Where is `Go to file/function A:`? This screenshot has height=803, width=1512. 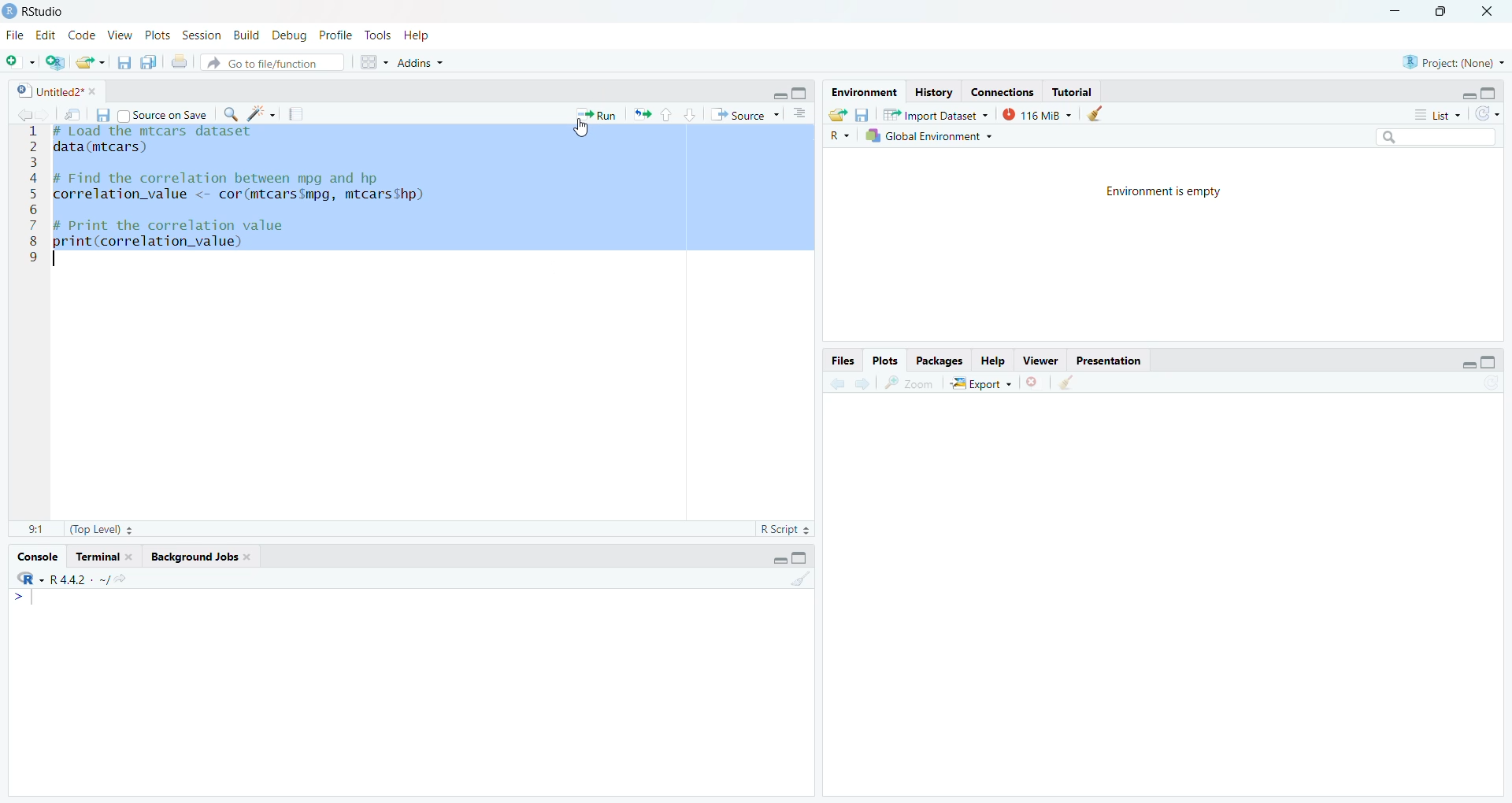 Go to file/function A: is located at coordinates (275, 62).